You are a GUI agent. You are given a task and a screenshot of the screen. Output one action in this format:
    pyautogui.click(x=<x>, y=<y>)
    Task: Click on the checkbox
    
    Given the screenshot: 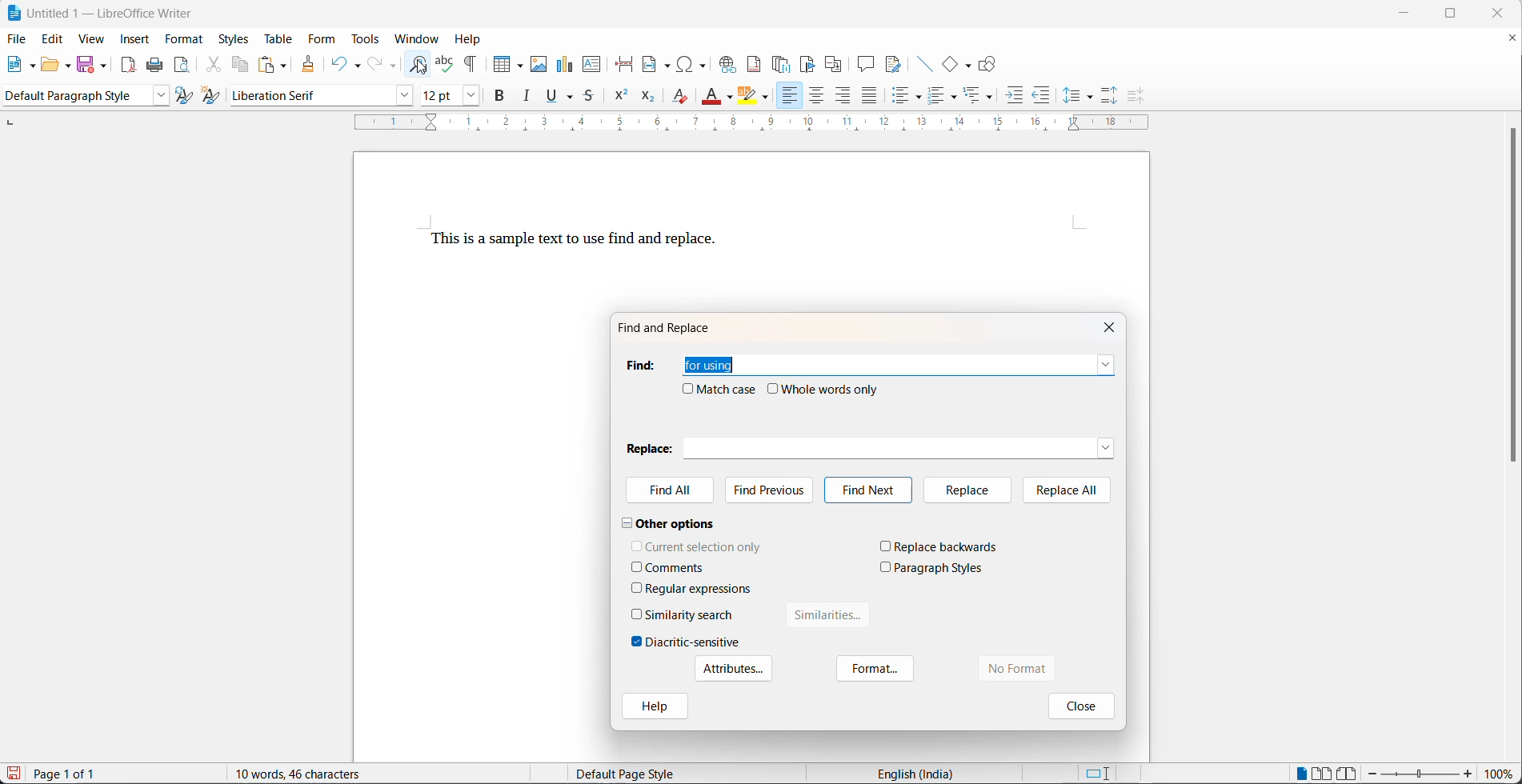 What is the action you would take?
    pyautogui.click(x=774, y=389)
    